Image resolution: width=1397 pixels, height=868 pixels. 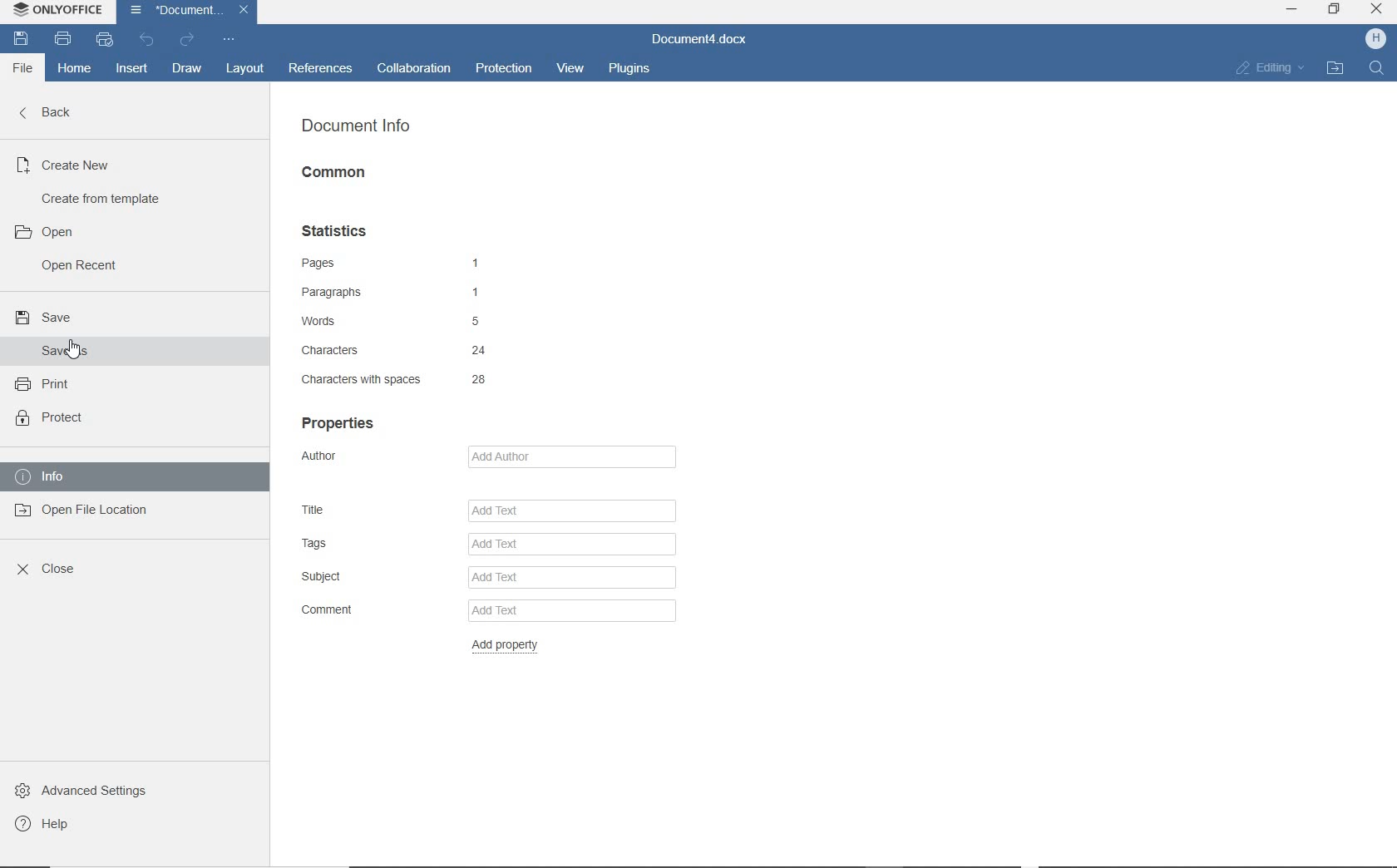 I want to click on MINIMIZE, so click(x=1291, y=10).